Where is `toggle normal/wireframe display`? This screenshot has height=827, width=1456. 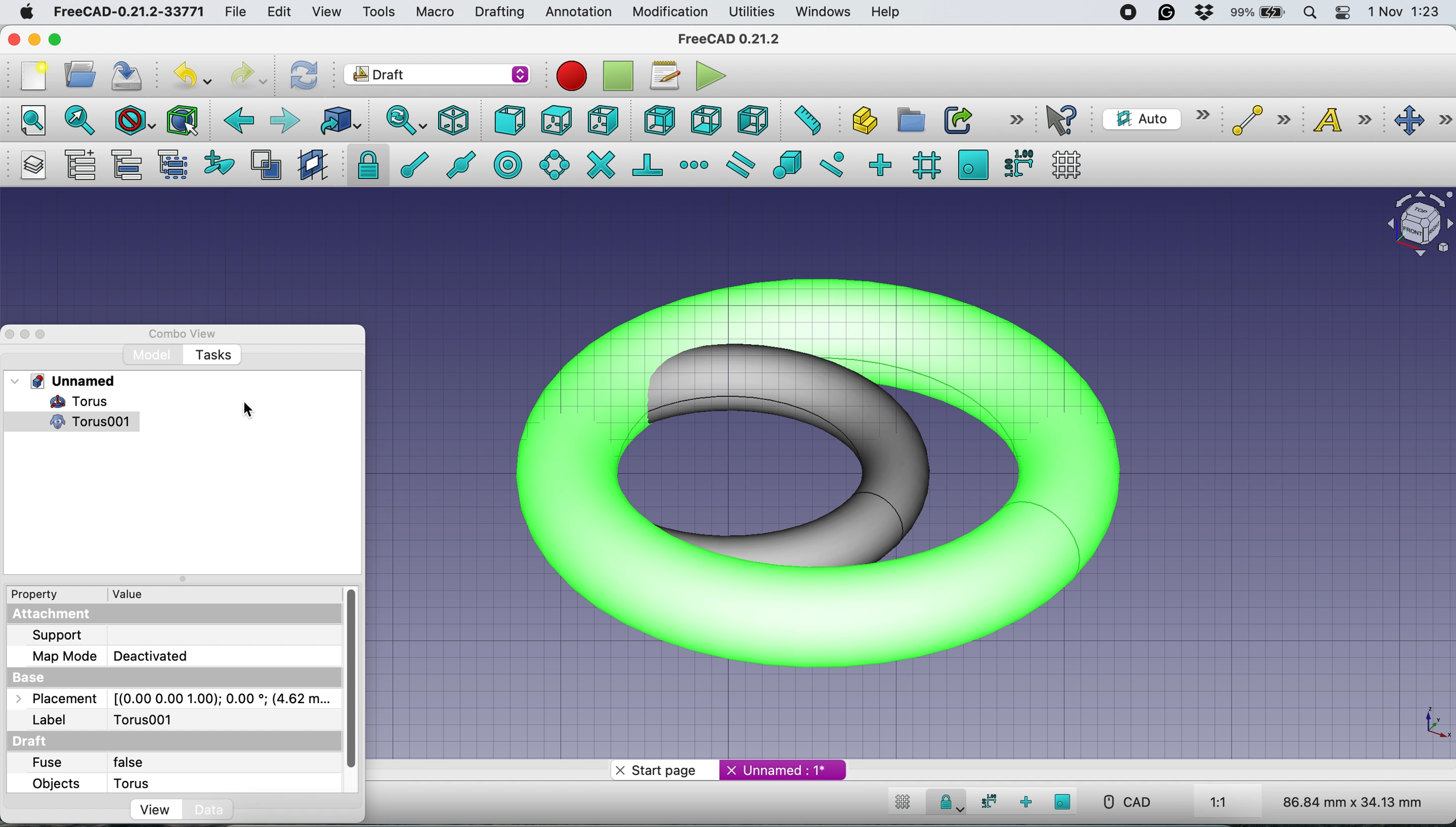 toggle normal/wireframe display is located at coordinates (265, 165).